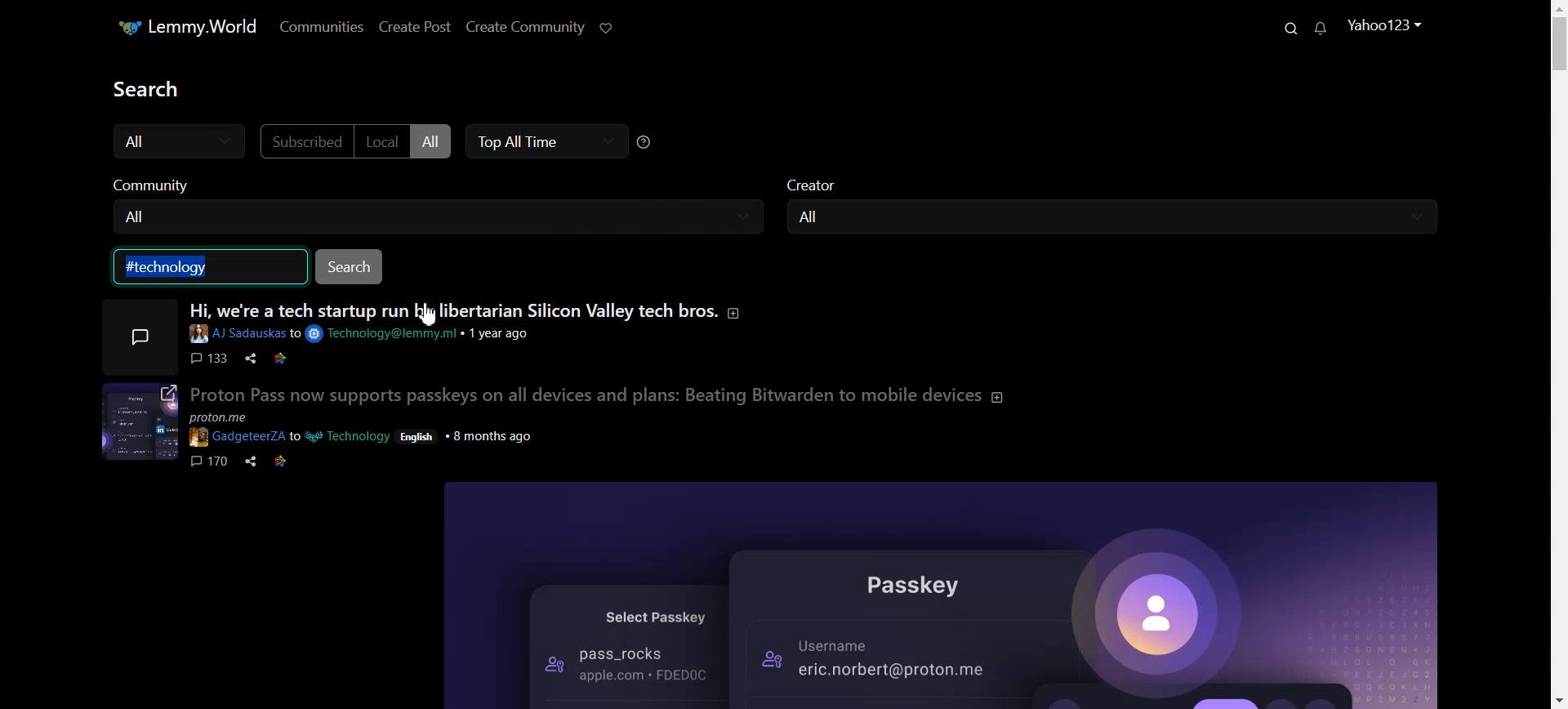  Describe the element at coordinates (167, 89) in the screenshot. I see `Text` at that location.